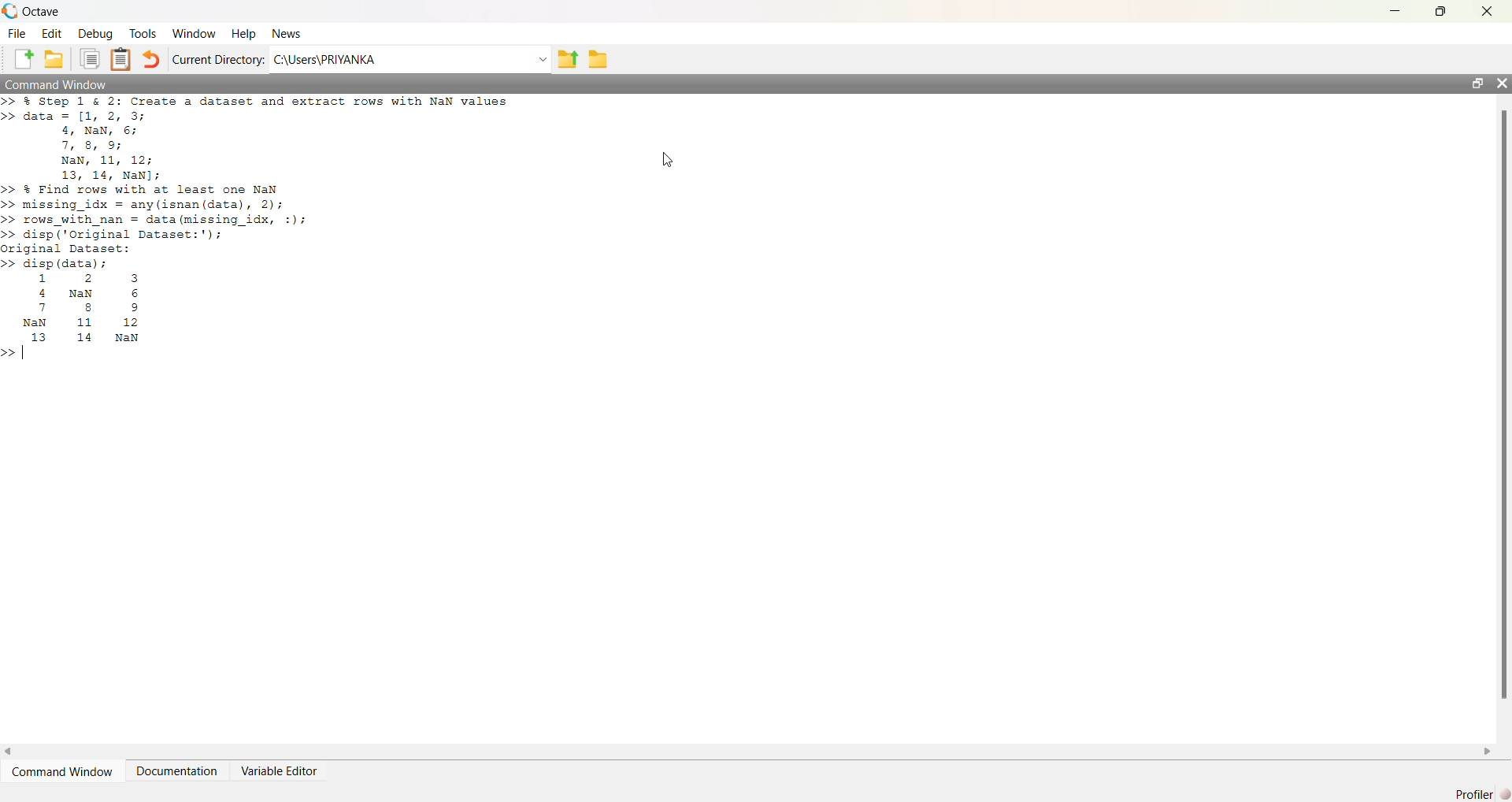  What do you see at coordinates (541, 60) in the screenshot?
I see `dropdown` at bounding box center [541, 60].